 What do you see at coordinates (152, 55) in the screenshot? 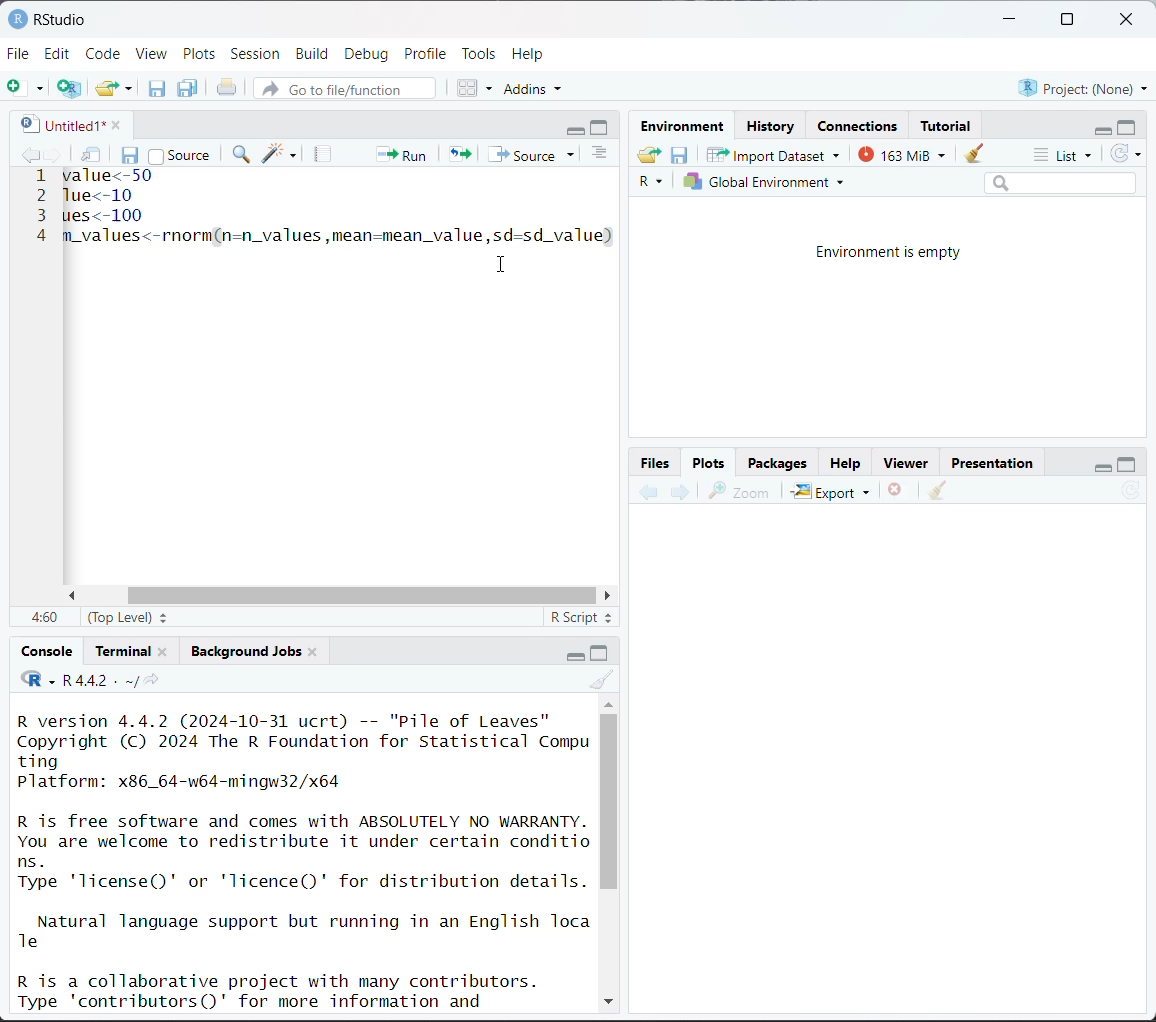
I see `View` at bounding box center [152, 55].